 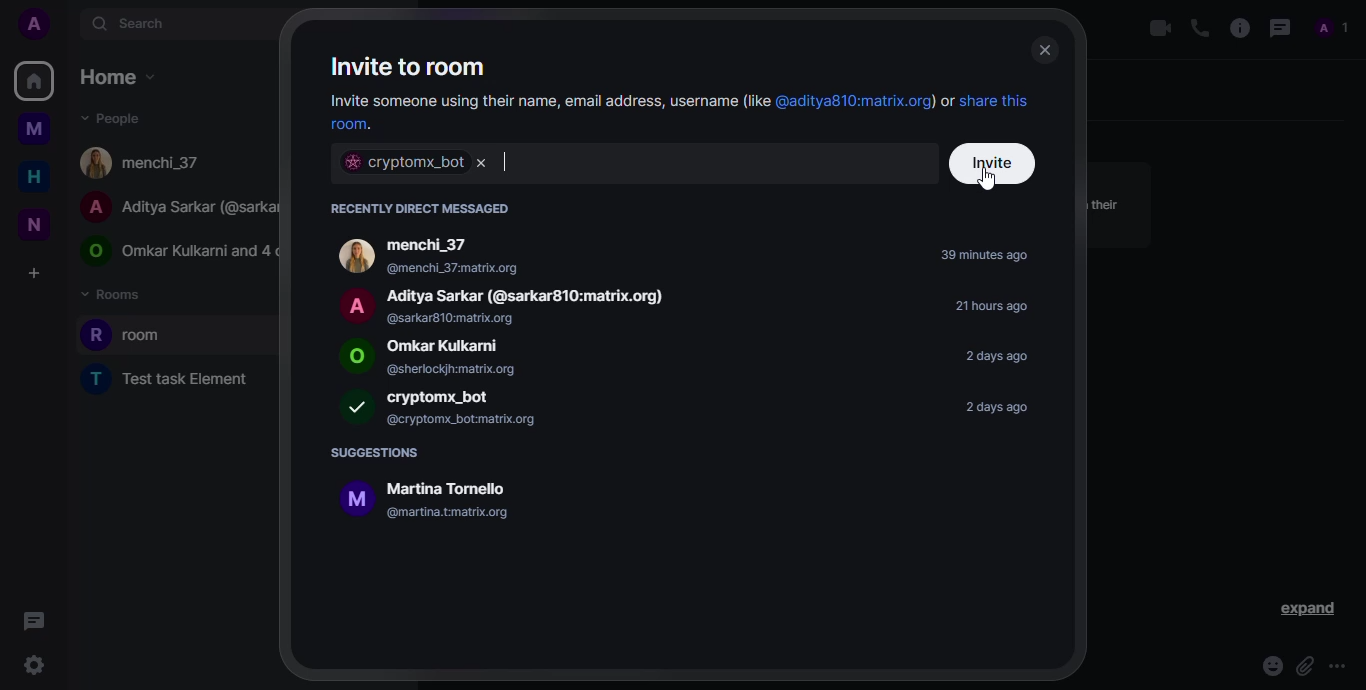 I want to click on bot, so click(x=478, y=396).